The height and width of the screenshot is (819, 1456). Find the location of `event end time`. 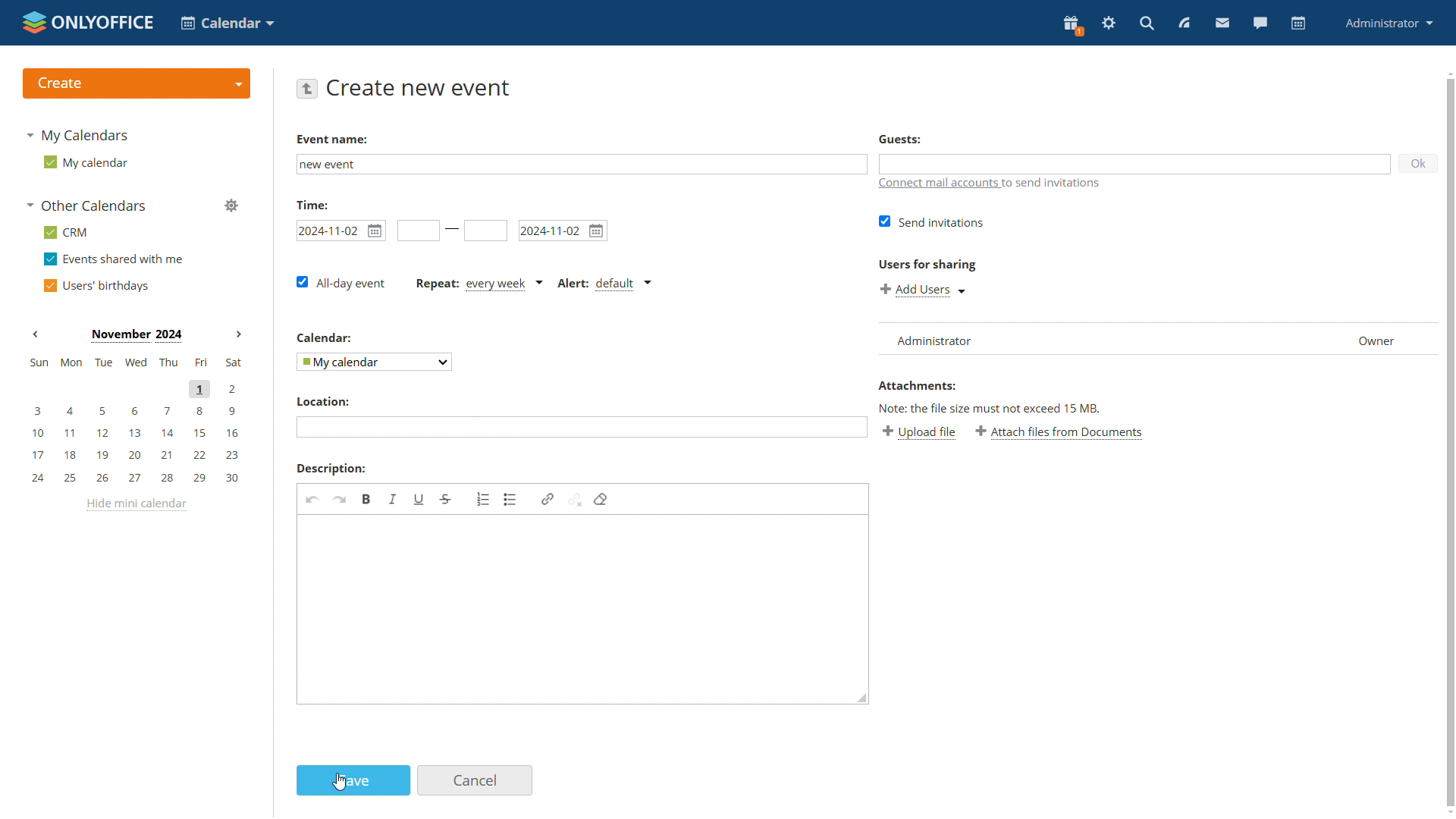

event end time is located at coordinates (485, 231).